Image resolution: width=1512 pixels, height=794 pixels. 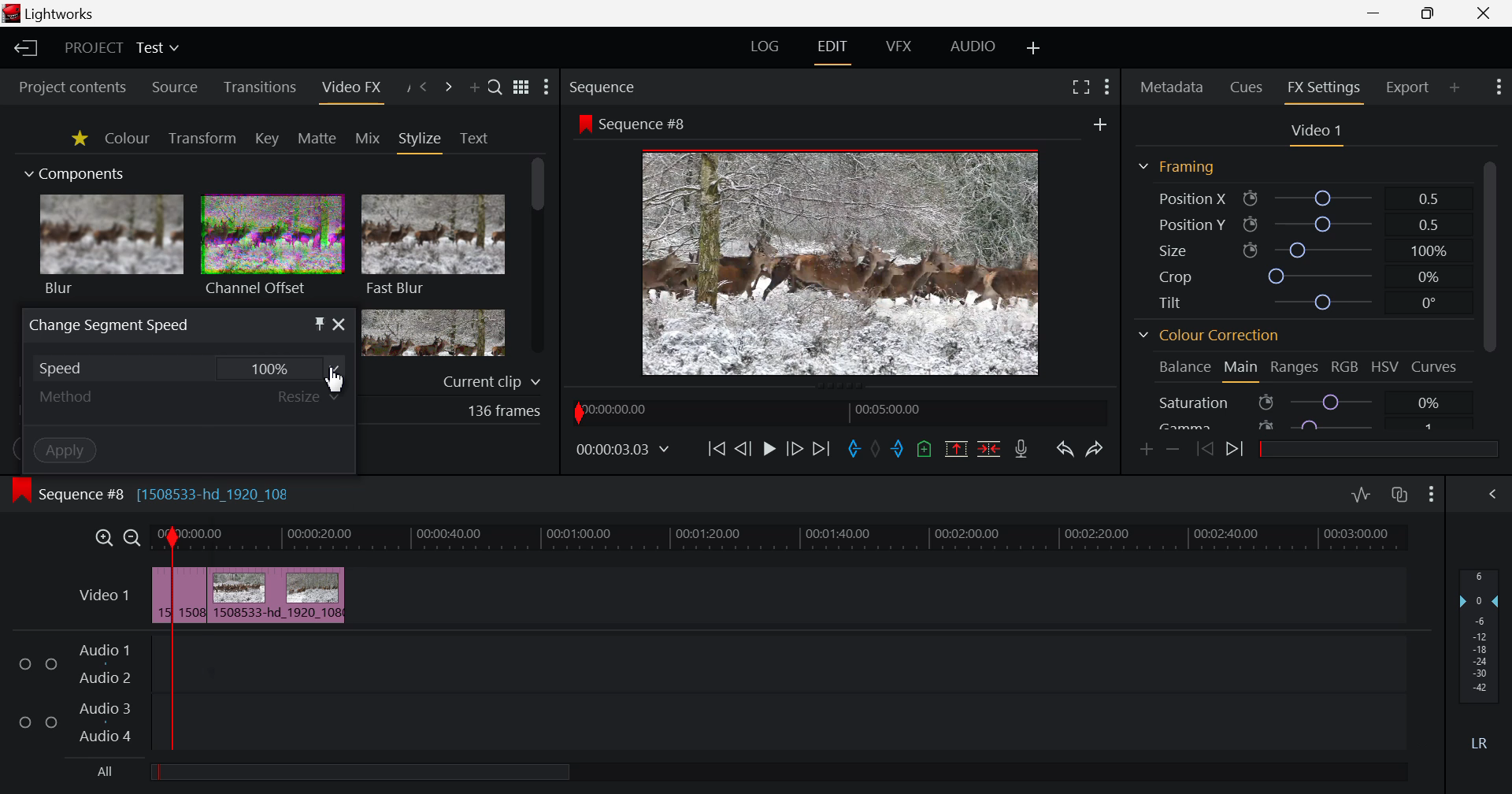 I want to click on Inserted Clip, so click(x=270, y=595).